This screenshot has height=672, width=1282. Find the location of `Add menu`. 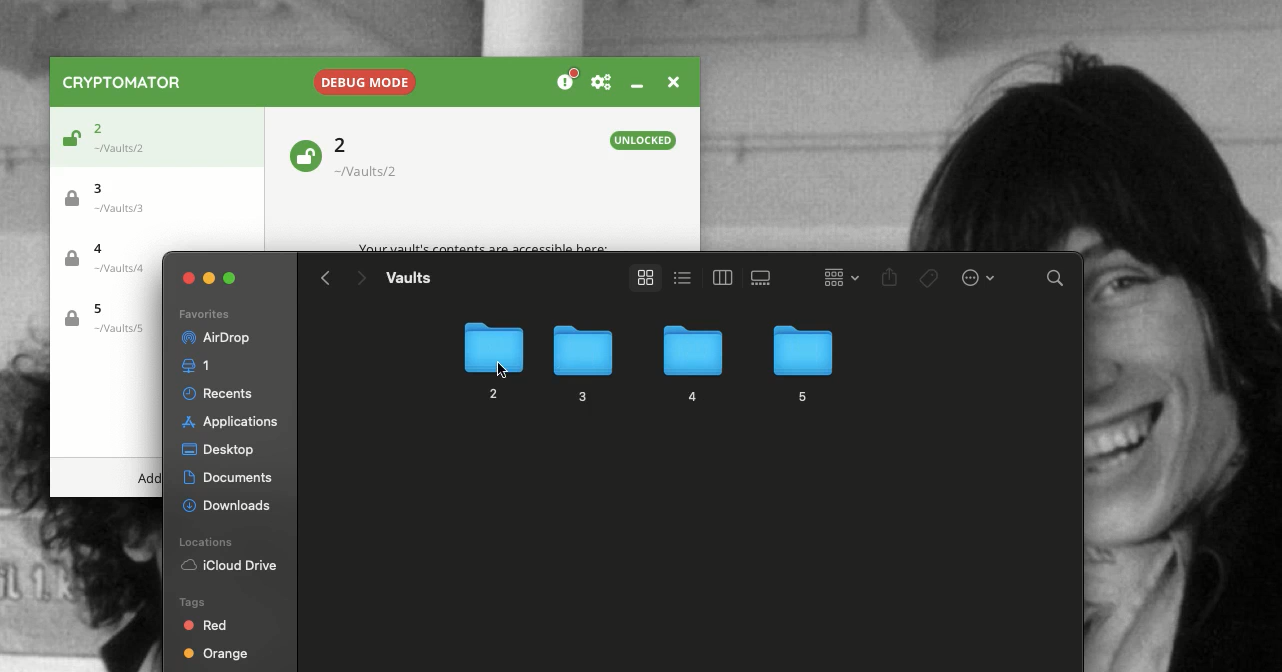

Add menu is located at coordinates (149, 479).